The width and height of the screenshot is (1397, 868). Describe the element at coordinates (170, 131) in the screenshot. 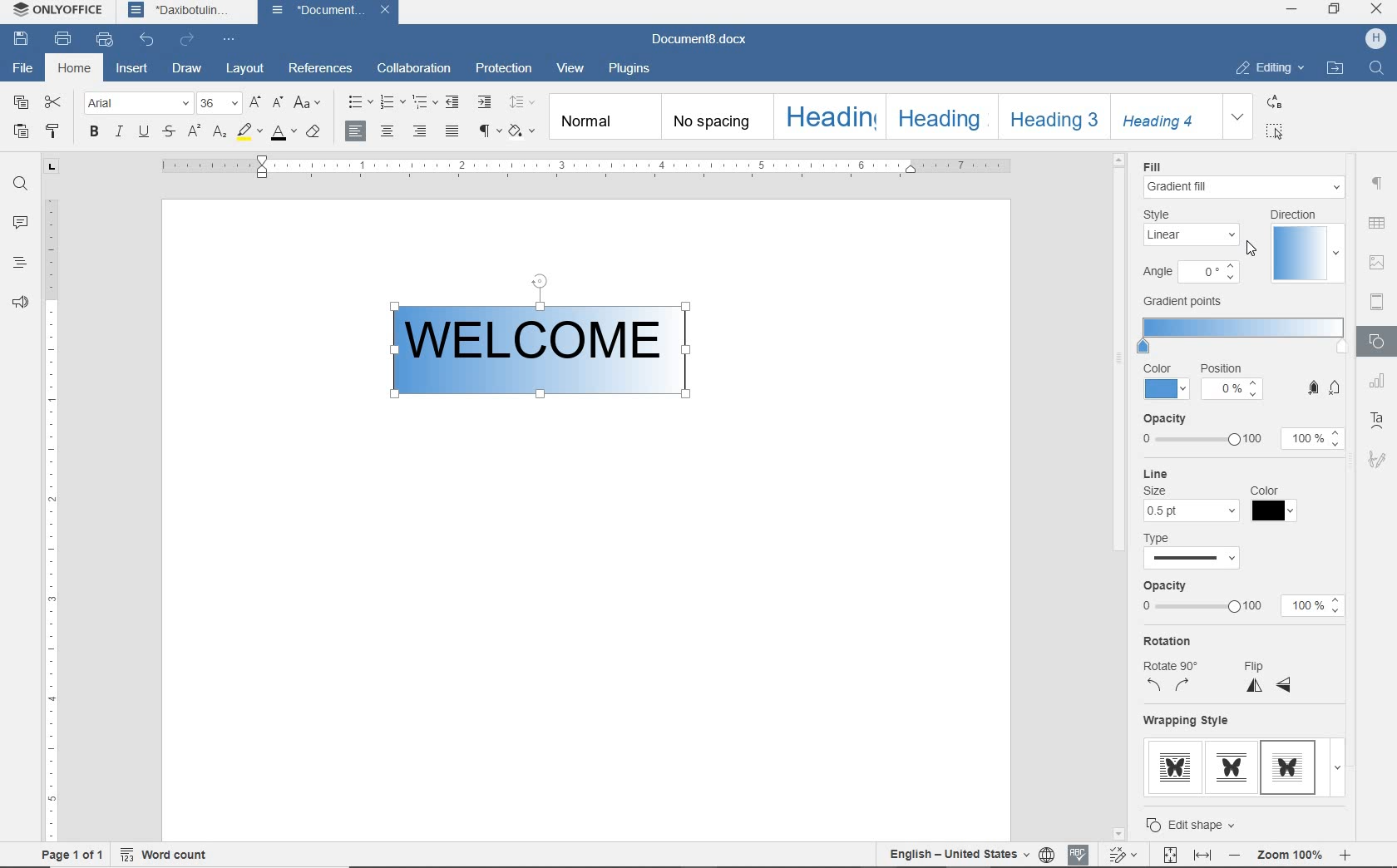

I see `STRIKETHROUGH` at that location.